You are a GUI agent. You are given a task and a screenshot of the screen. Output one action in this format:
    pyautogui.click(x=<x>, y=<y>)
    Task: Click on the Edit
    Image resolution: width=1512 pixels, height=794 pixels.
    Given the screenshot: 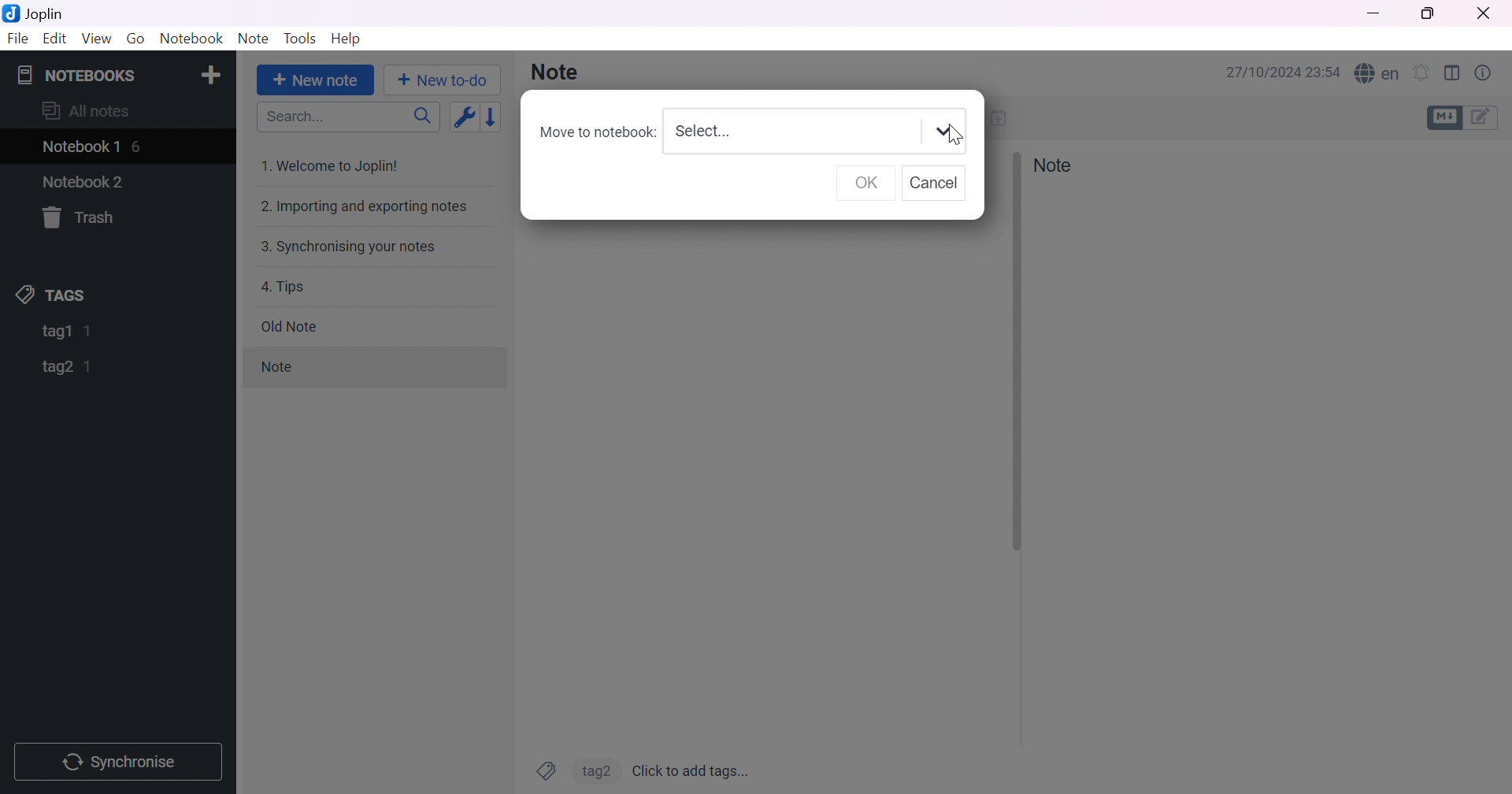 What is the action you would take?
    pyautogui.click(x=56, y=41)
    